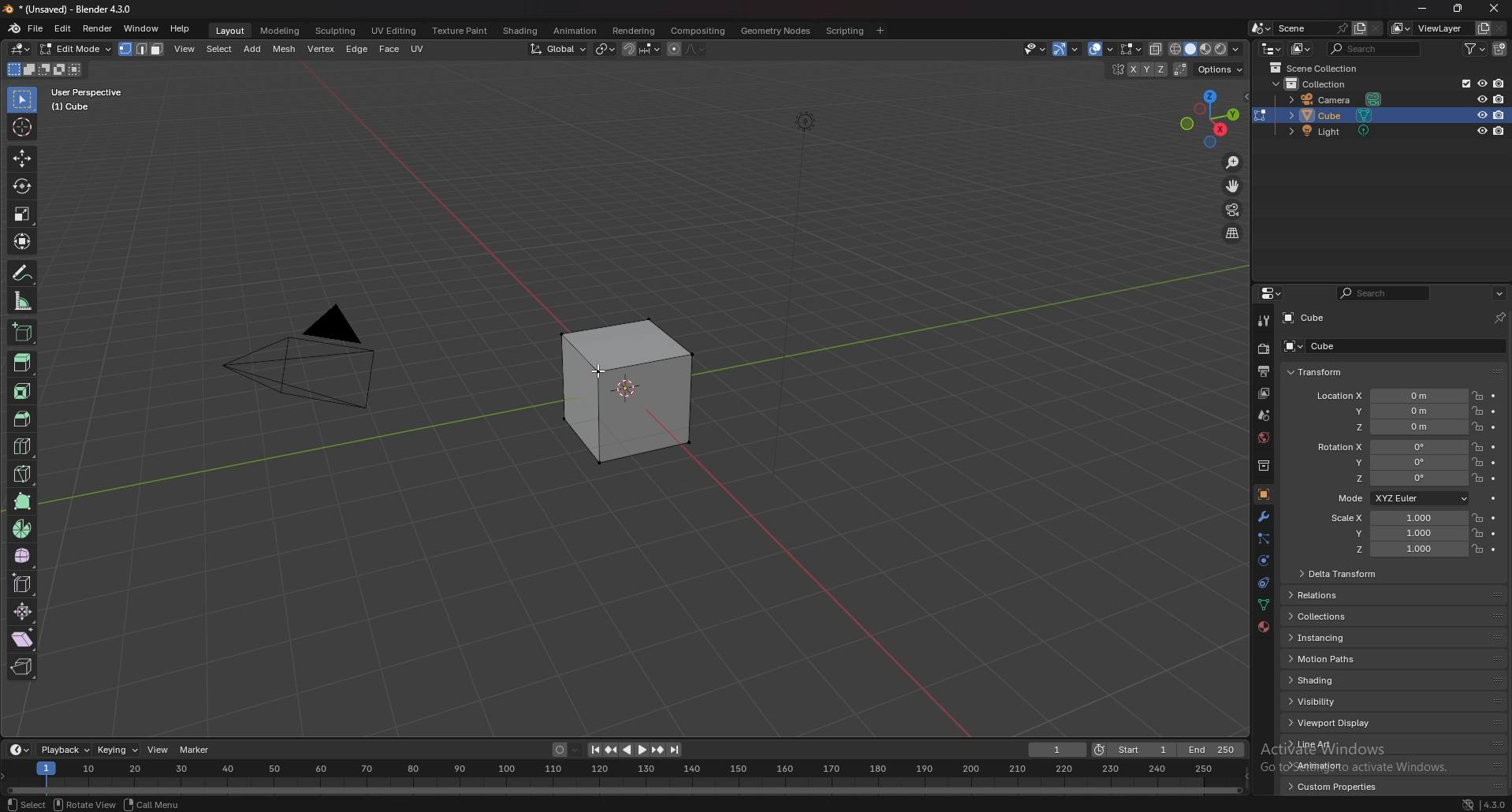 The image size is (1512, 812). I want to click on animate property, so click(1494, 463).